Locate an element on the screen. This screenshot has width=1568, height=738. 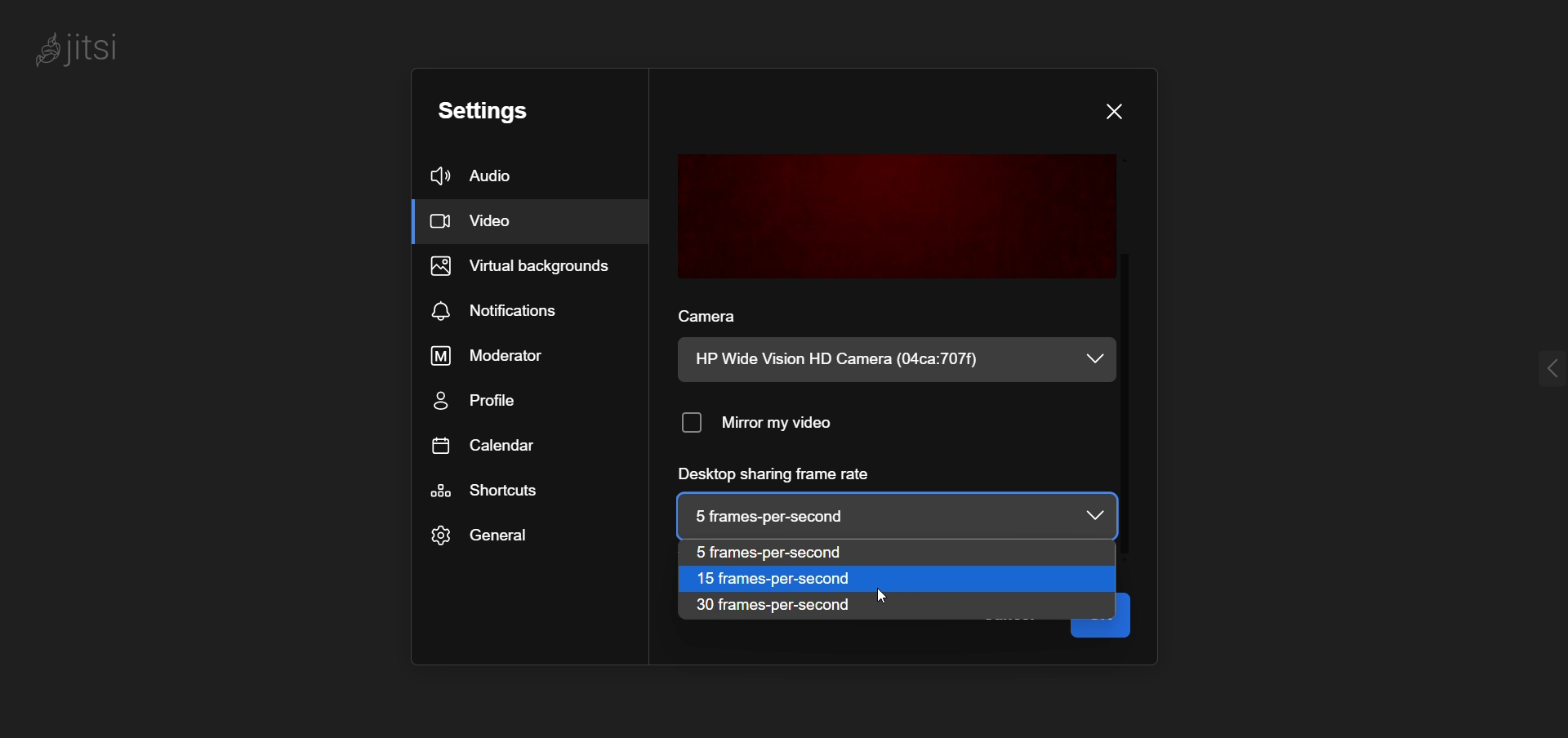
moderator is located at coordinates (494, 354).